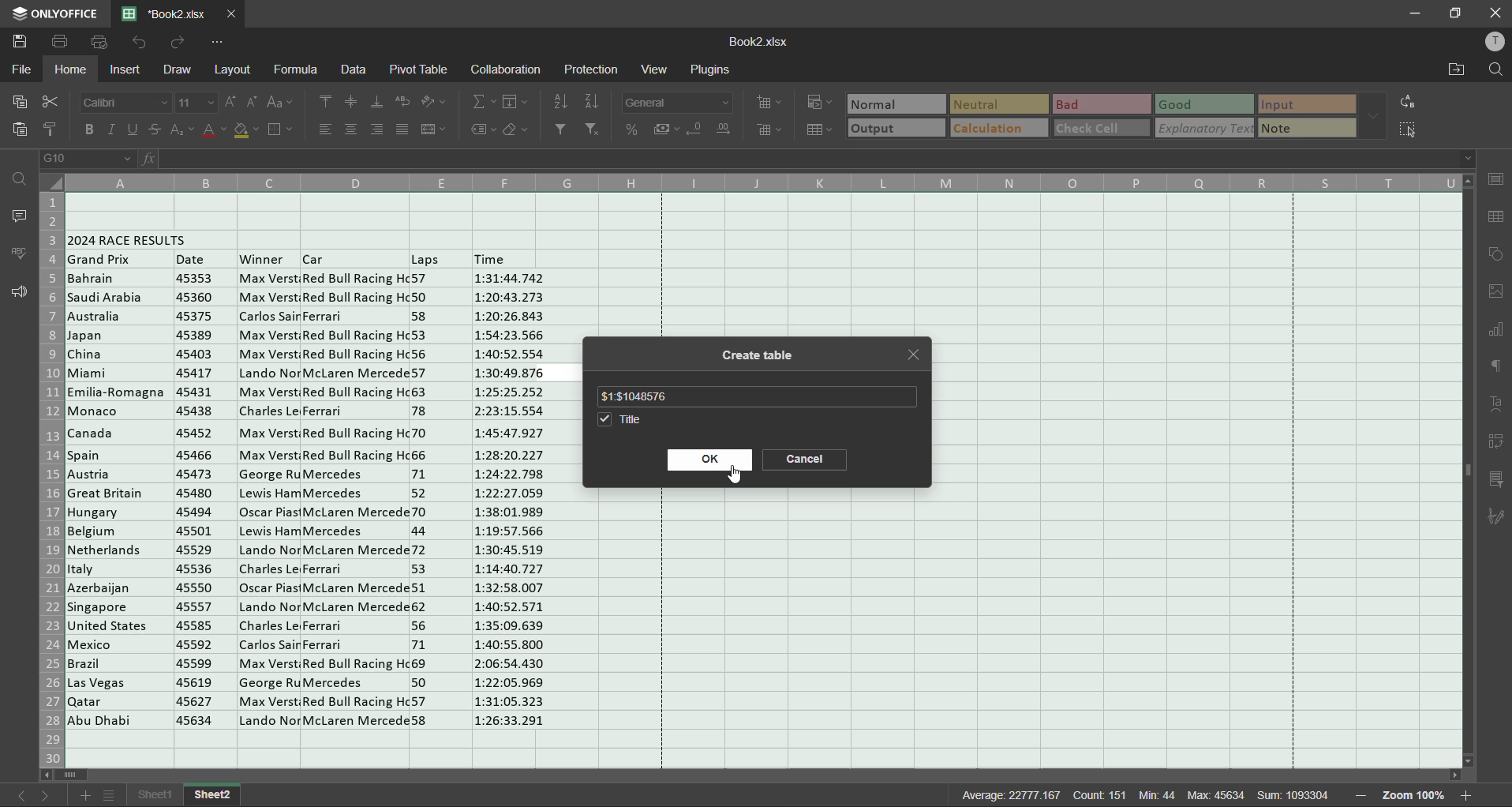 This screenshot has width=1512, height=807. What do you see at coordinates (357, 501) in the screenshot?
I see `car` at bounding box center [357, 501].